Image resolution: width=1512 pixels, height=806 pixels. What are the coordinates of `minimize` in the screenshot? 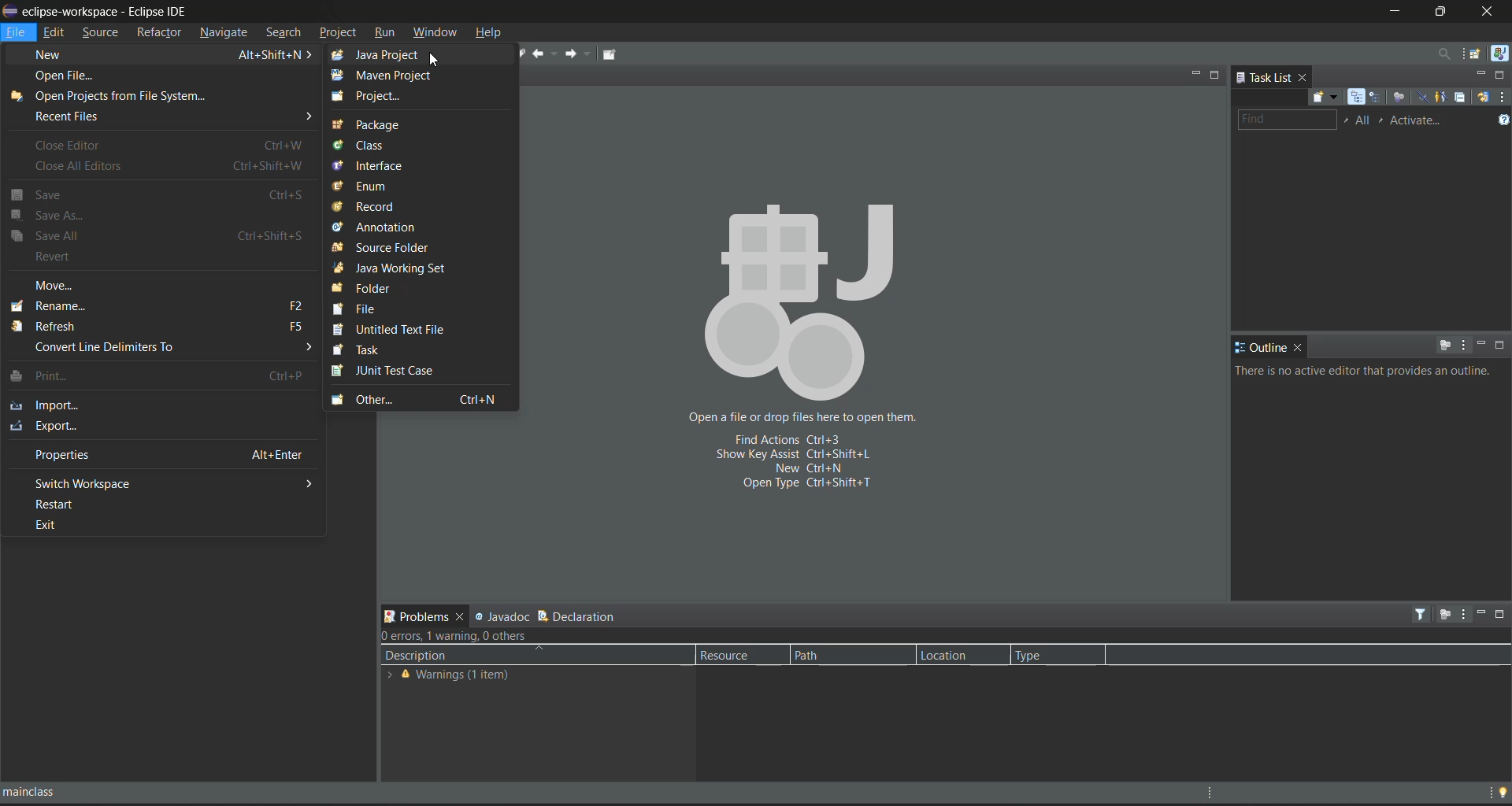 It's located at (1480, 346).